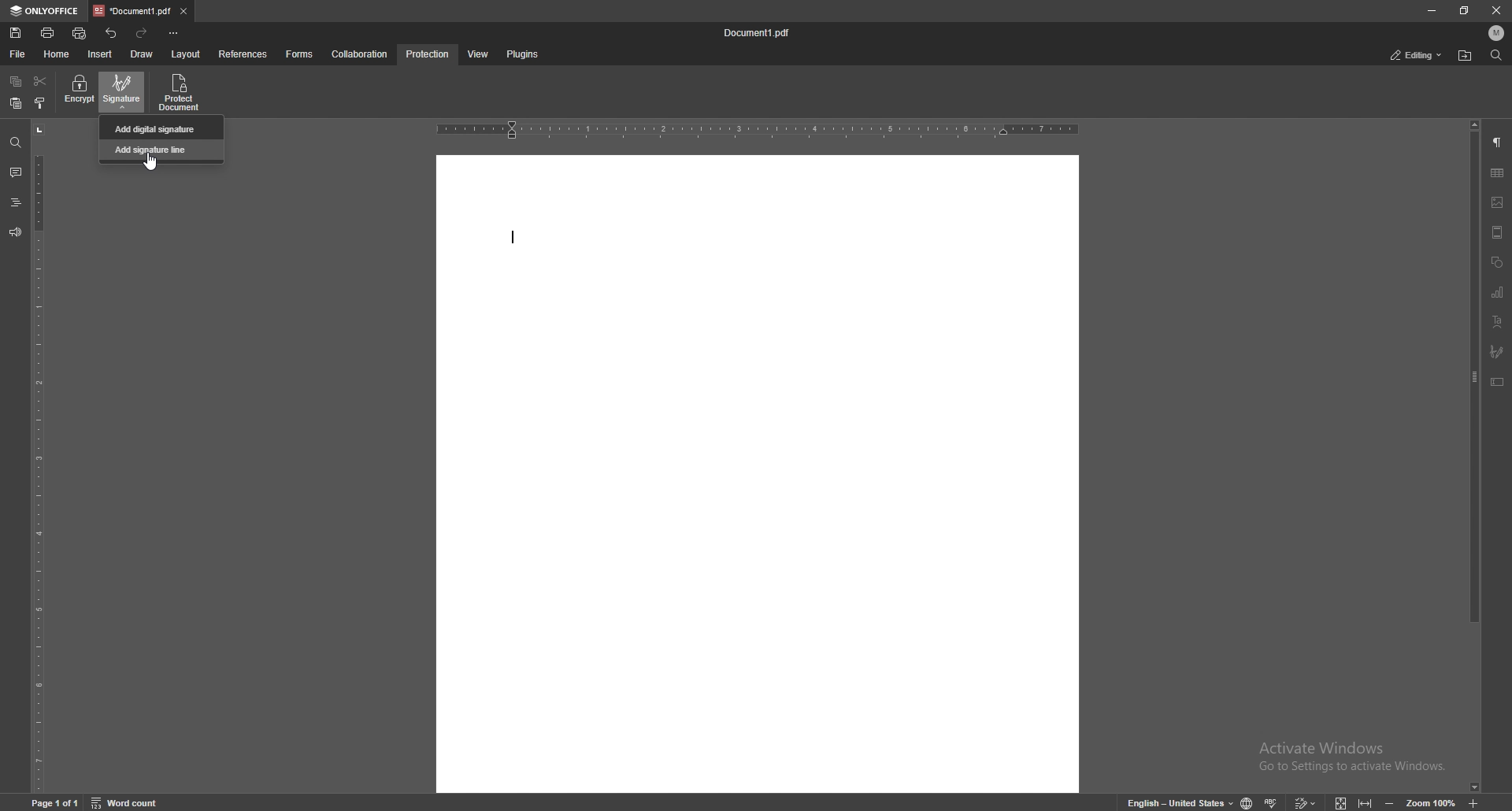 The image size is (1512, 811). Describe the element at coordinates (1336, 801) in the screenshot. I see `fit to screen` at that location.